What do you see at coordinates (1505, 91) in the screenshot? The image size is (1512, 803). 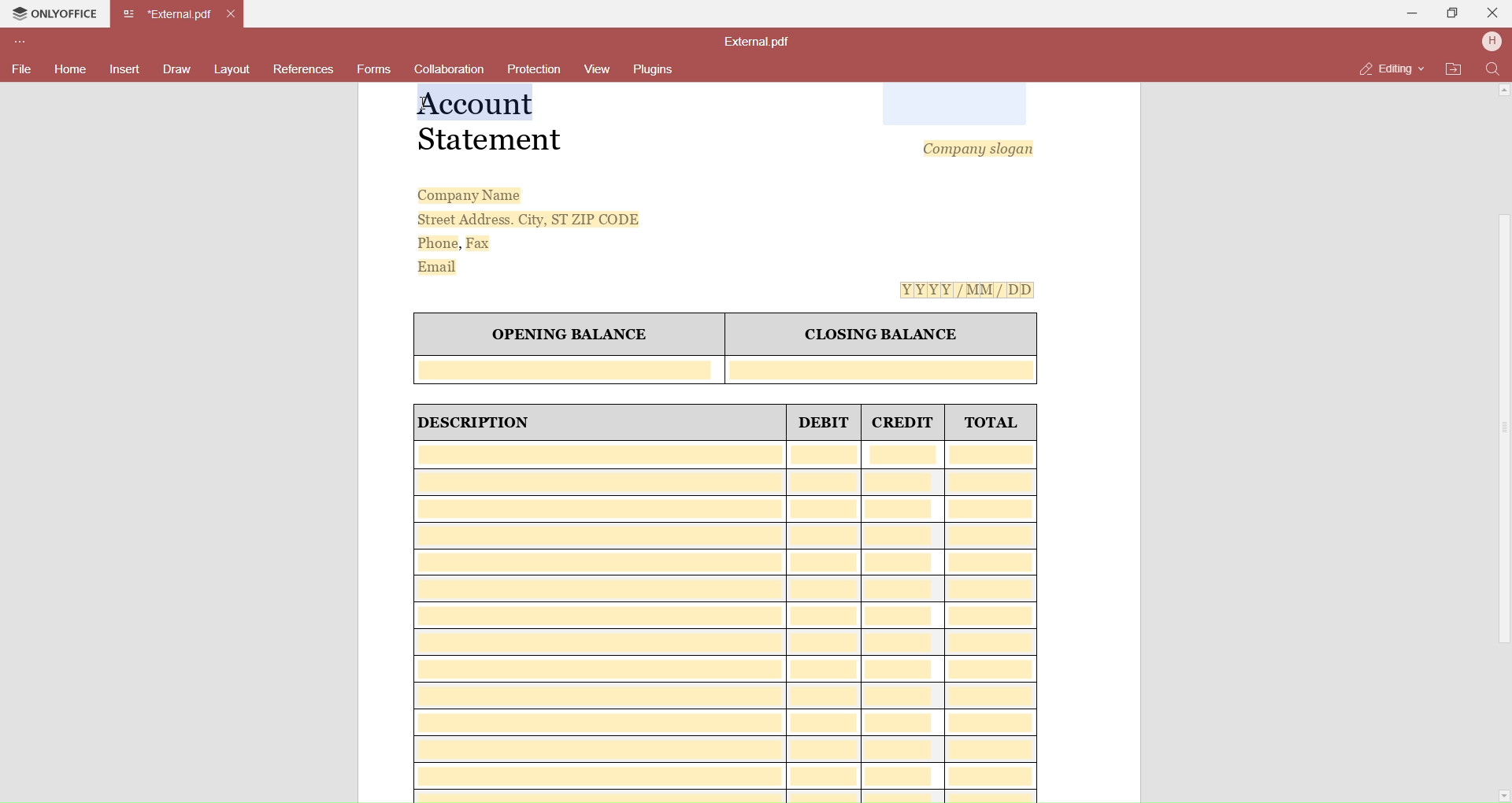 I see `Scroll Up` at bounding box center [1505, 91].